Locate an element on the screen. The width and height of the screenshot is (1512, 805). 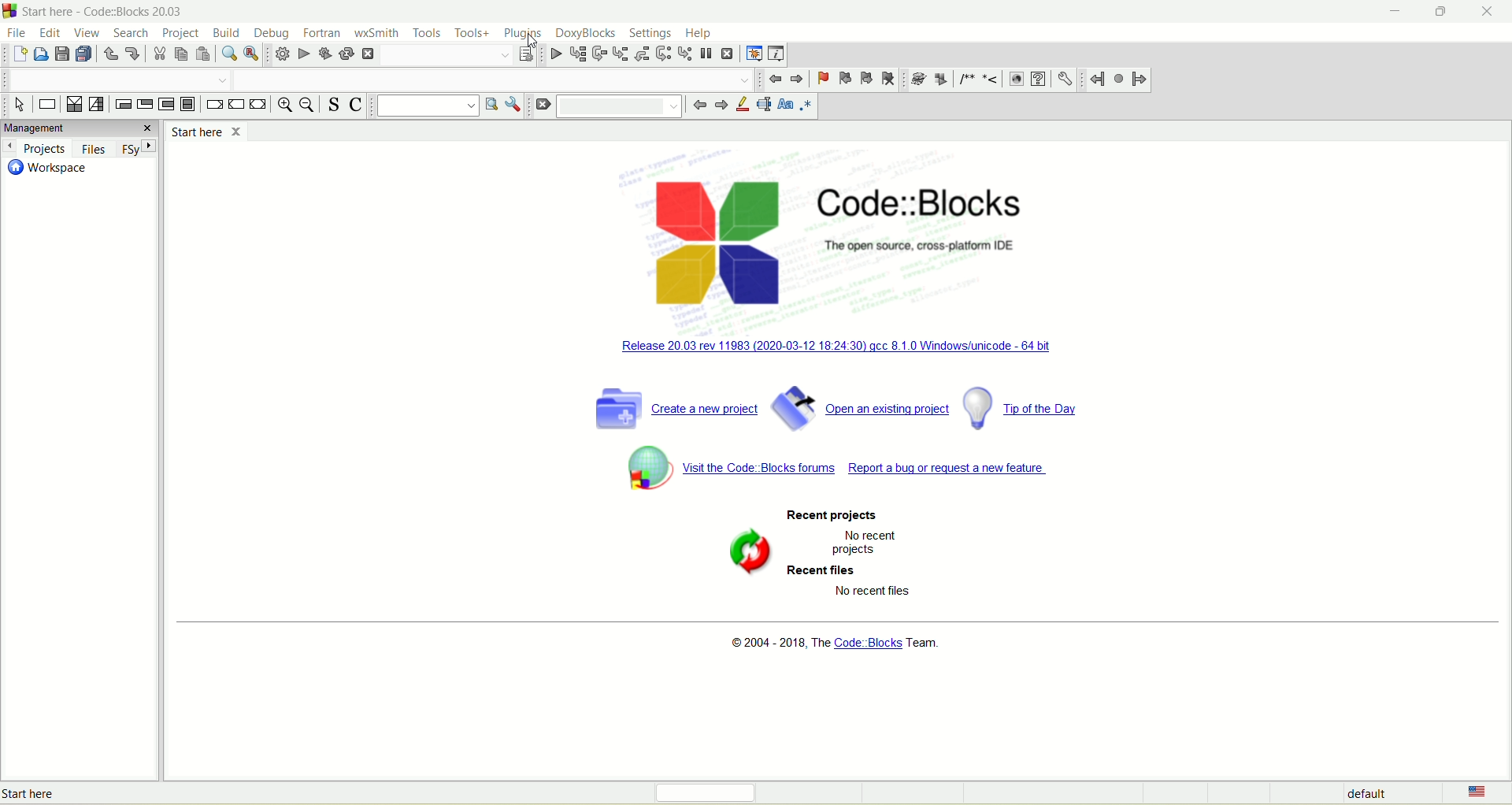
project is located at coordinates (182, 32).